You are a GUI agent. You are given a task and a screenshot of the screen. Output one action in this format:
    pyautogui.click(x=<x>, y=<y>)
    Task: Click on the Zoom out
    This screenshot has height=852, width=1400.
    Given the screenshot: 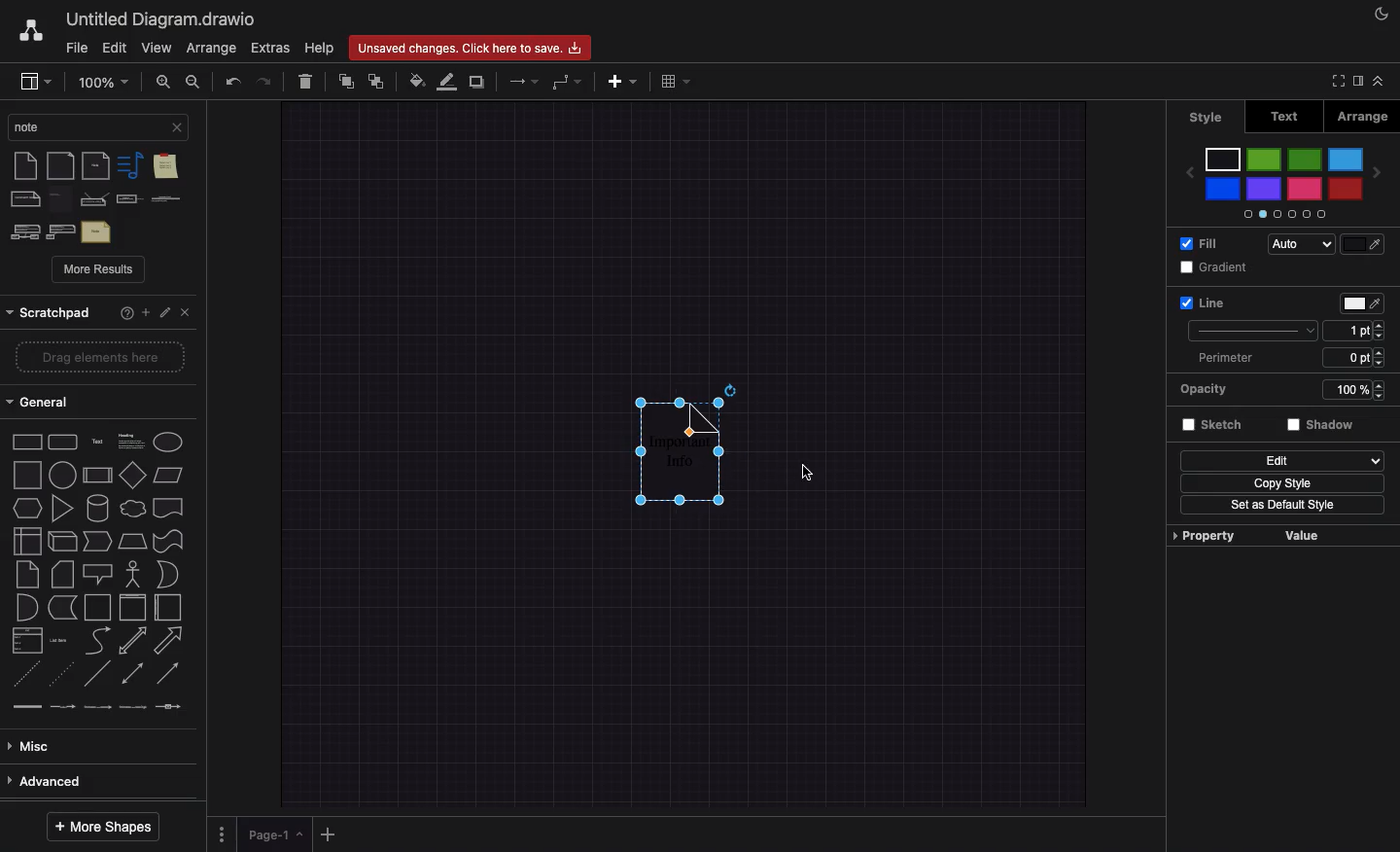 What is the action you would take?
    pyautogui.click(x=195, y=81)
    